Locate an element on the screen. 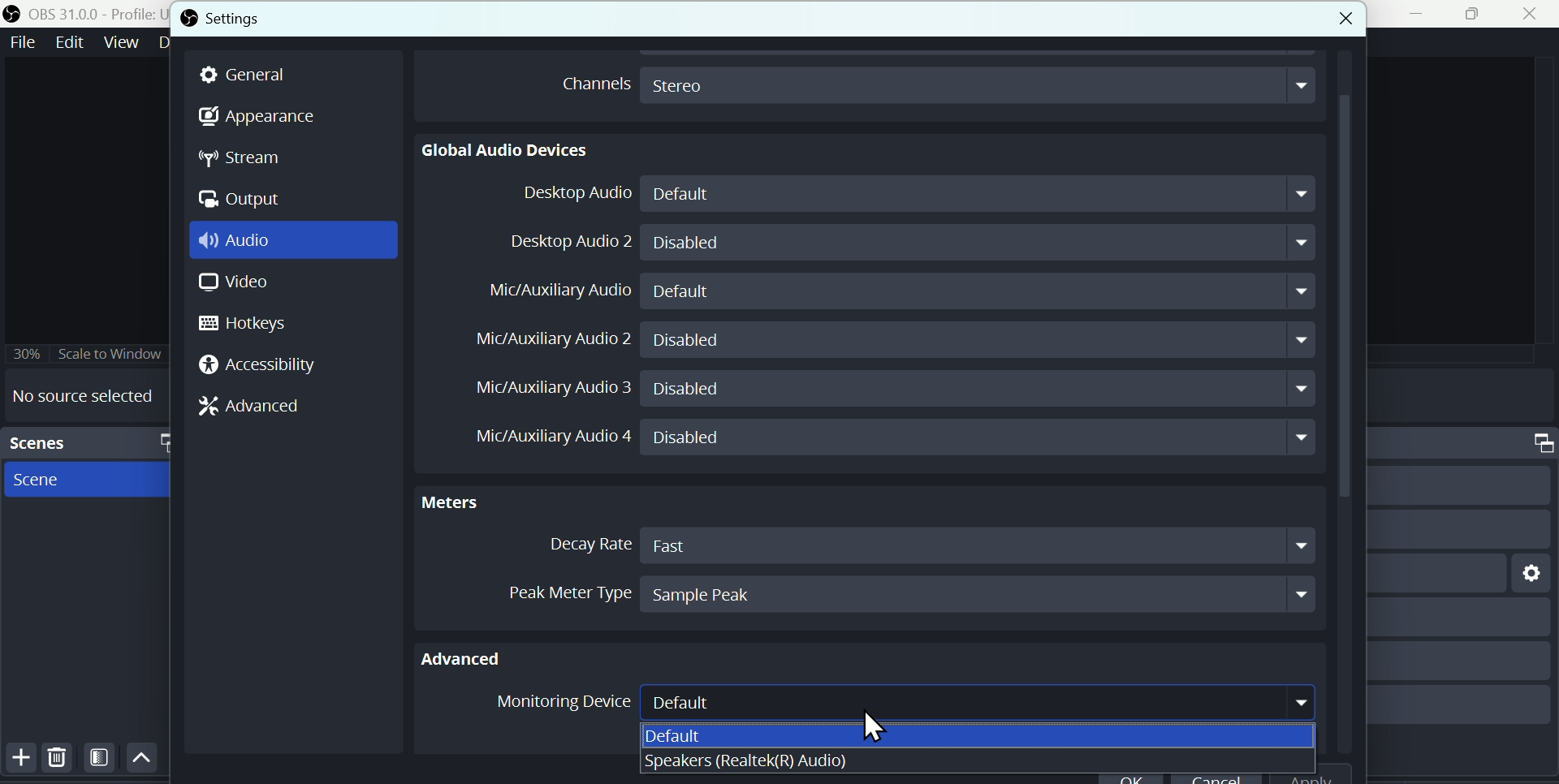 The height and width of the screenshot is (784, 1559). Global Audio Devices is located at coordinates (507, 149).